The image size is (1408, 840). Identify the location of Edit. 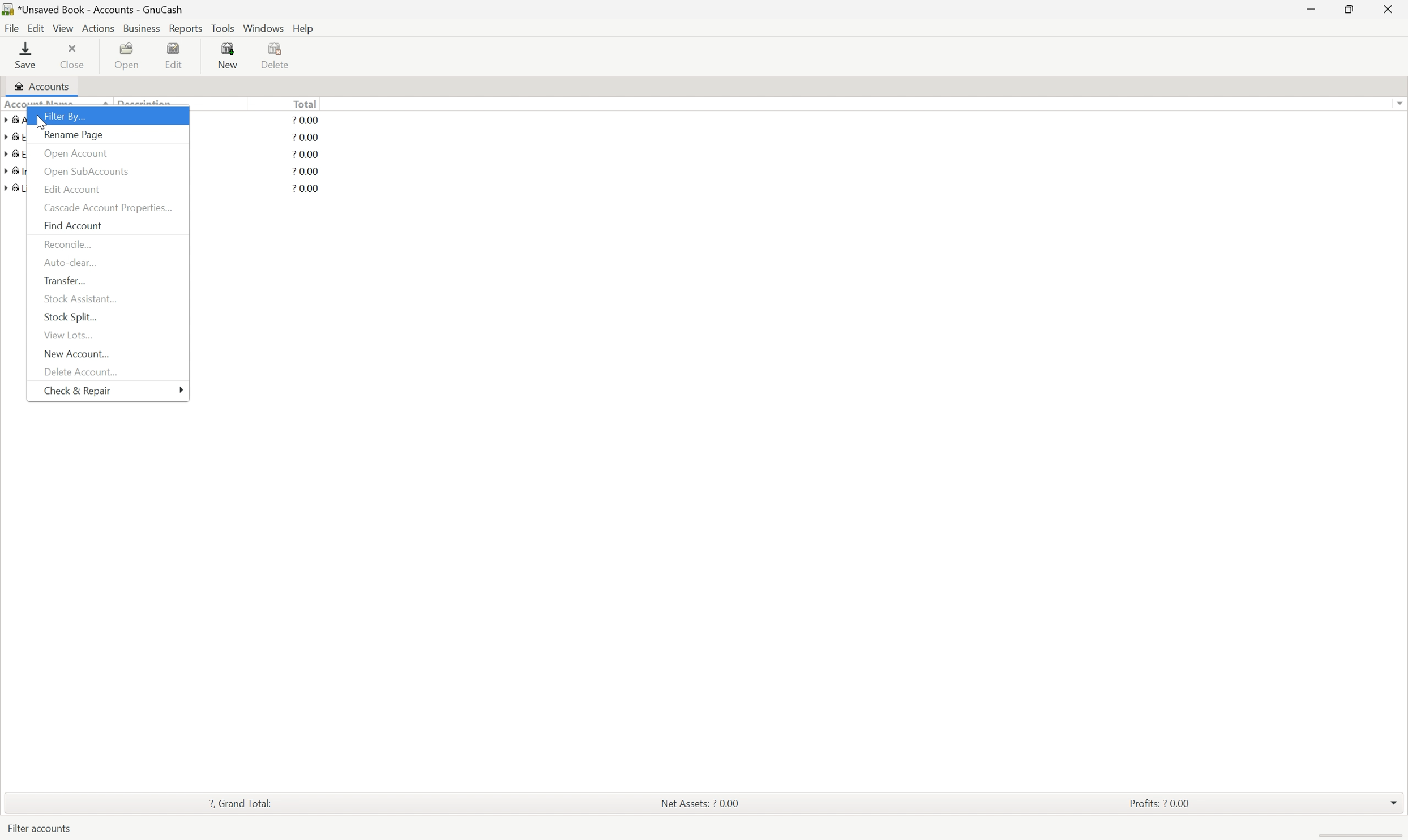
(35, 27).